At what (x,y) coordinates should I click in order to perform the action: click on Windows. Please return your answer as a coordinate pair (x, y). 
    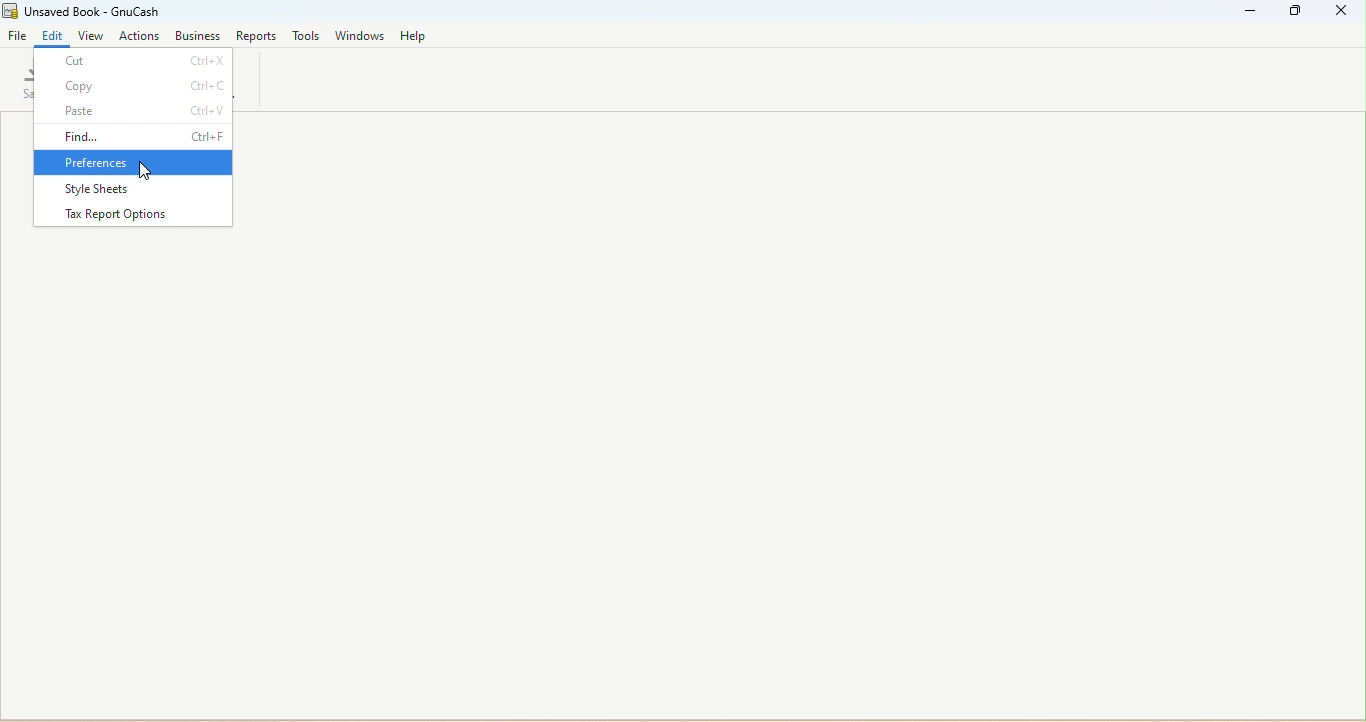
    Looking at the image, I should click on (360, 37).